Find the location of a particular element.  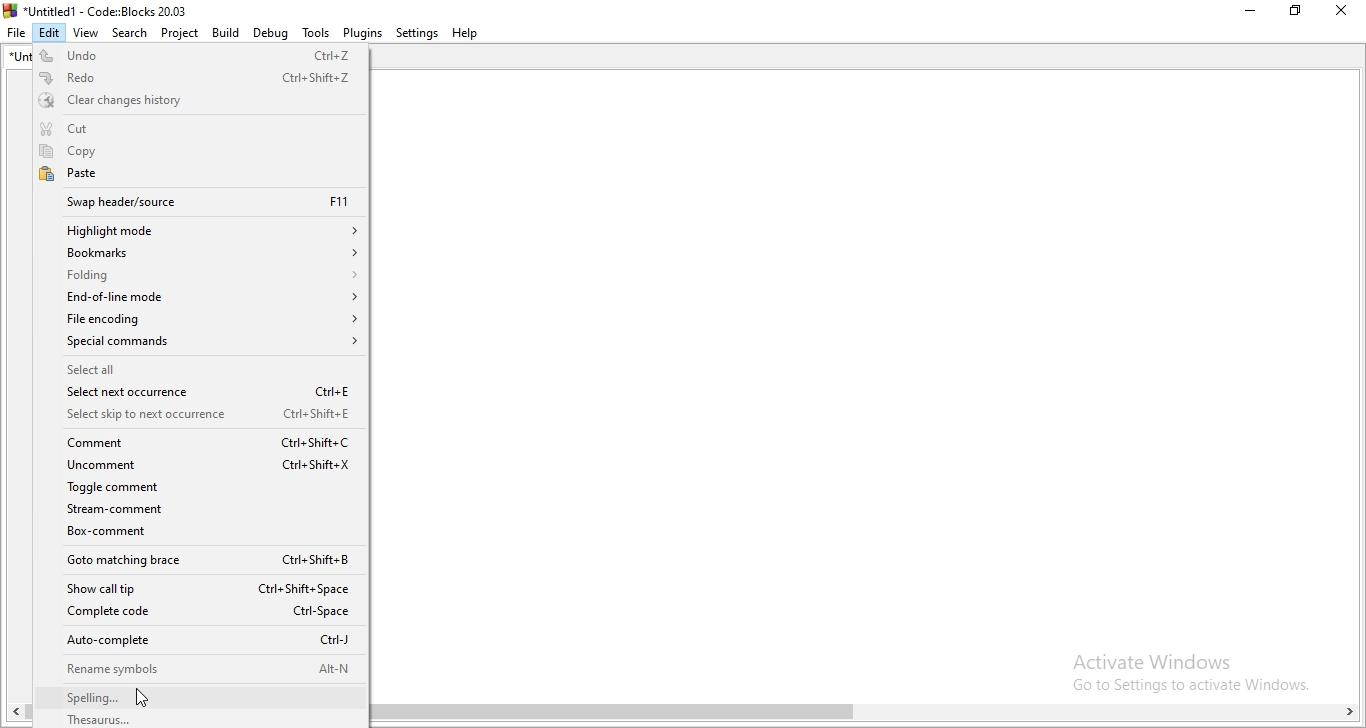

Copy is located at coordinates (199, 153).